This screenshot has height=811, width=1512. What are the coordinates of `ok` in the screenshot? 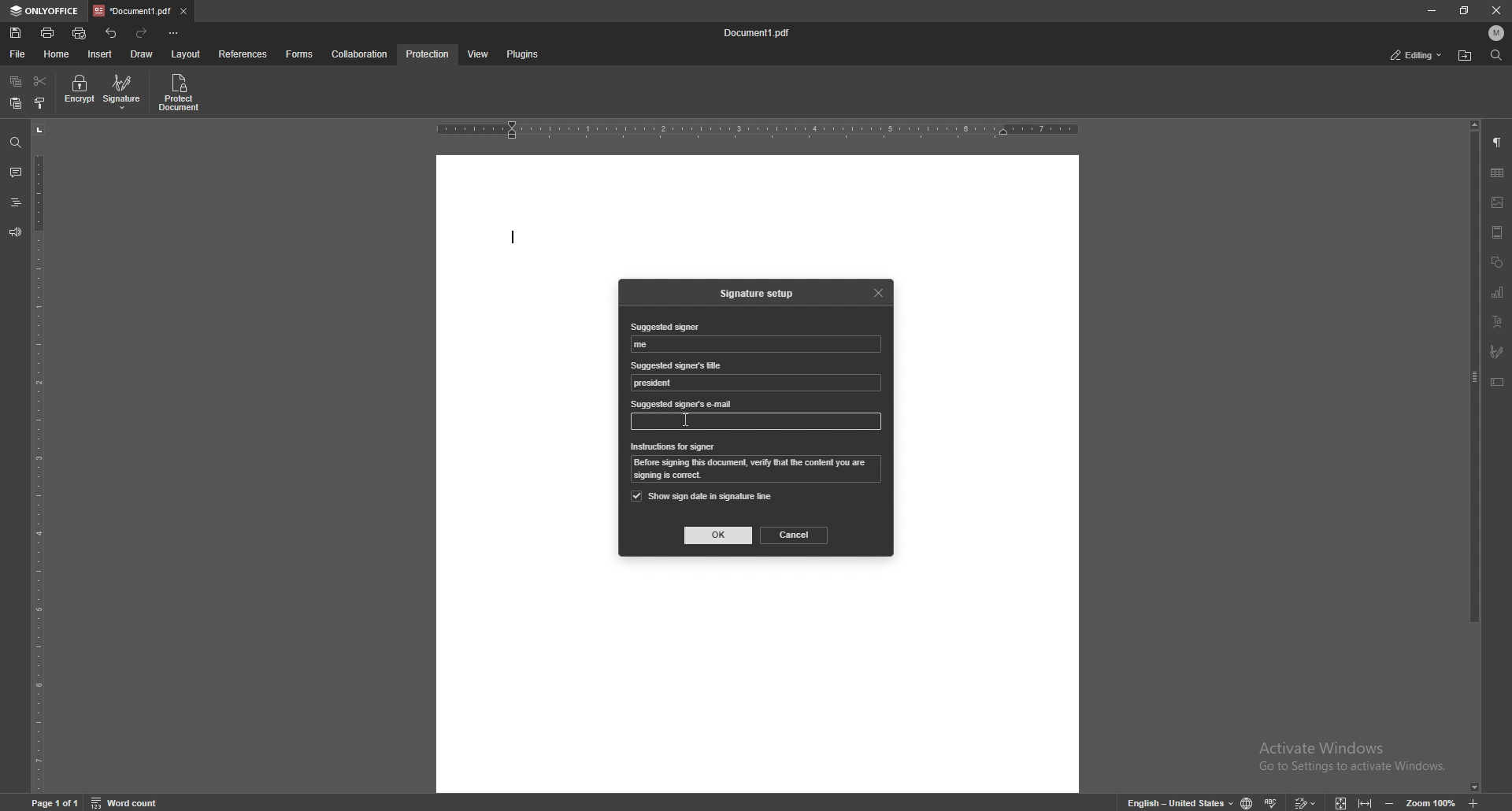 It's located at (719, 535).